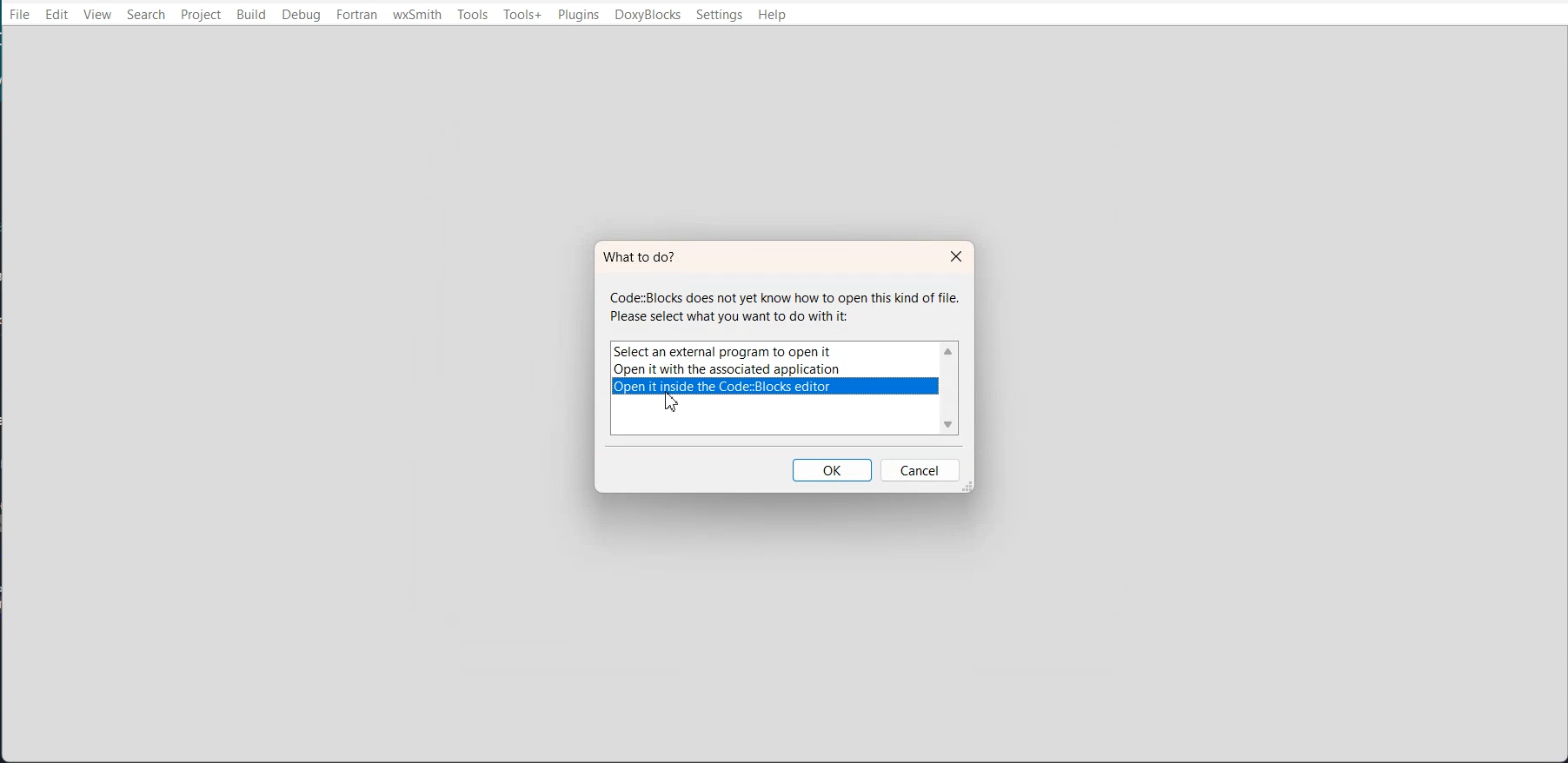 Image resolution: width=1568 pixels, height=763 pixels. I want to click on Plugins, so click(578, 15).